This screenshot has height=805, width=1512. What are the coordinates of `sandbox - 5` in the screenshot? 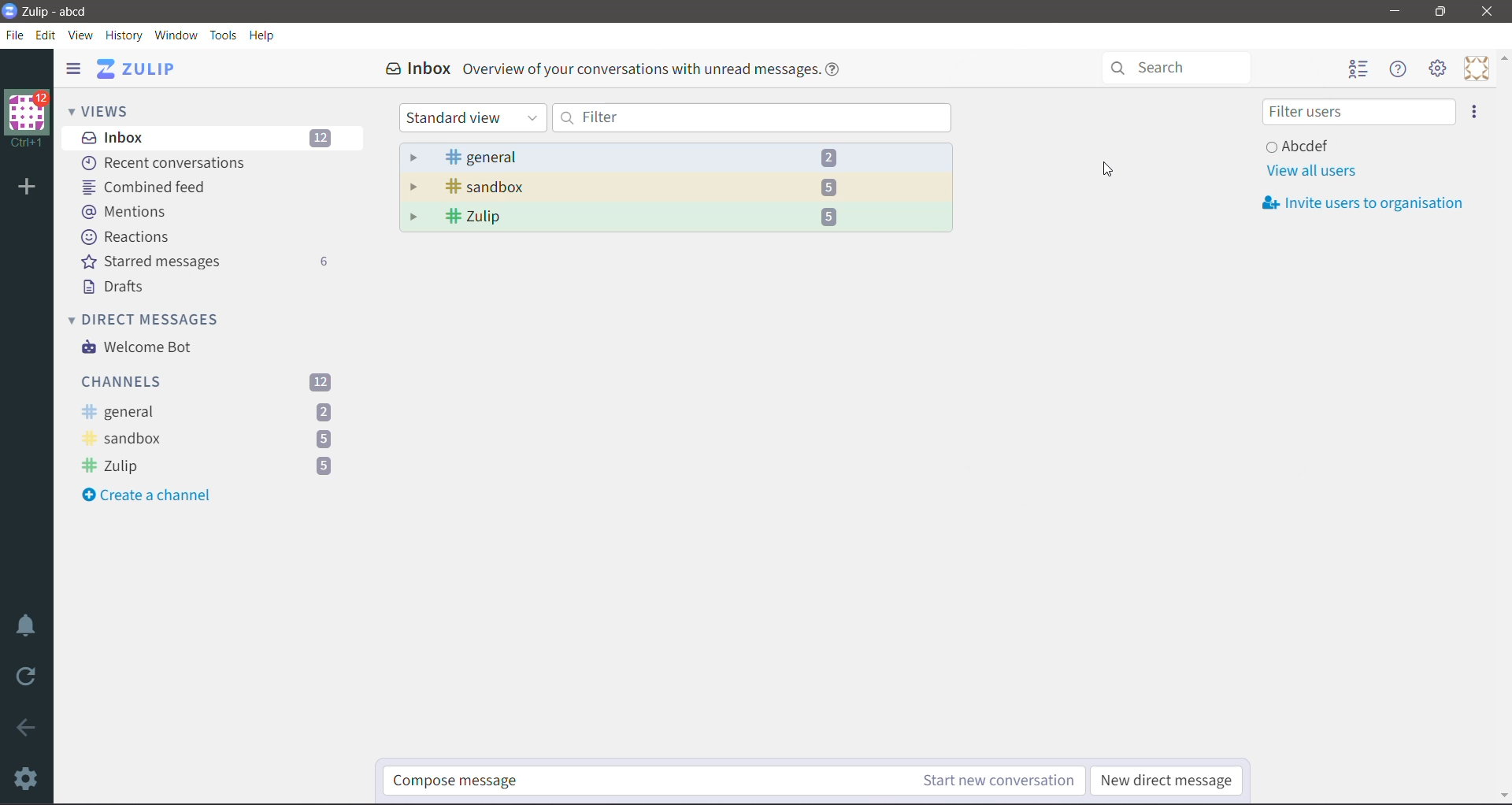 It's located at (676, 187).